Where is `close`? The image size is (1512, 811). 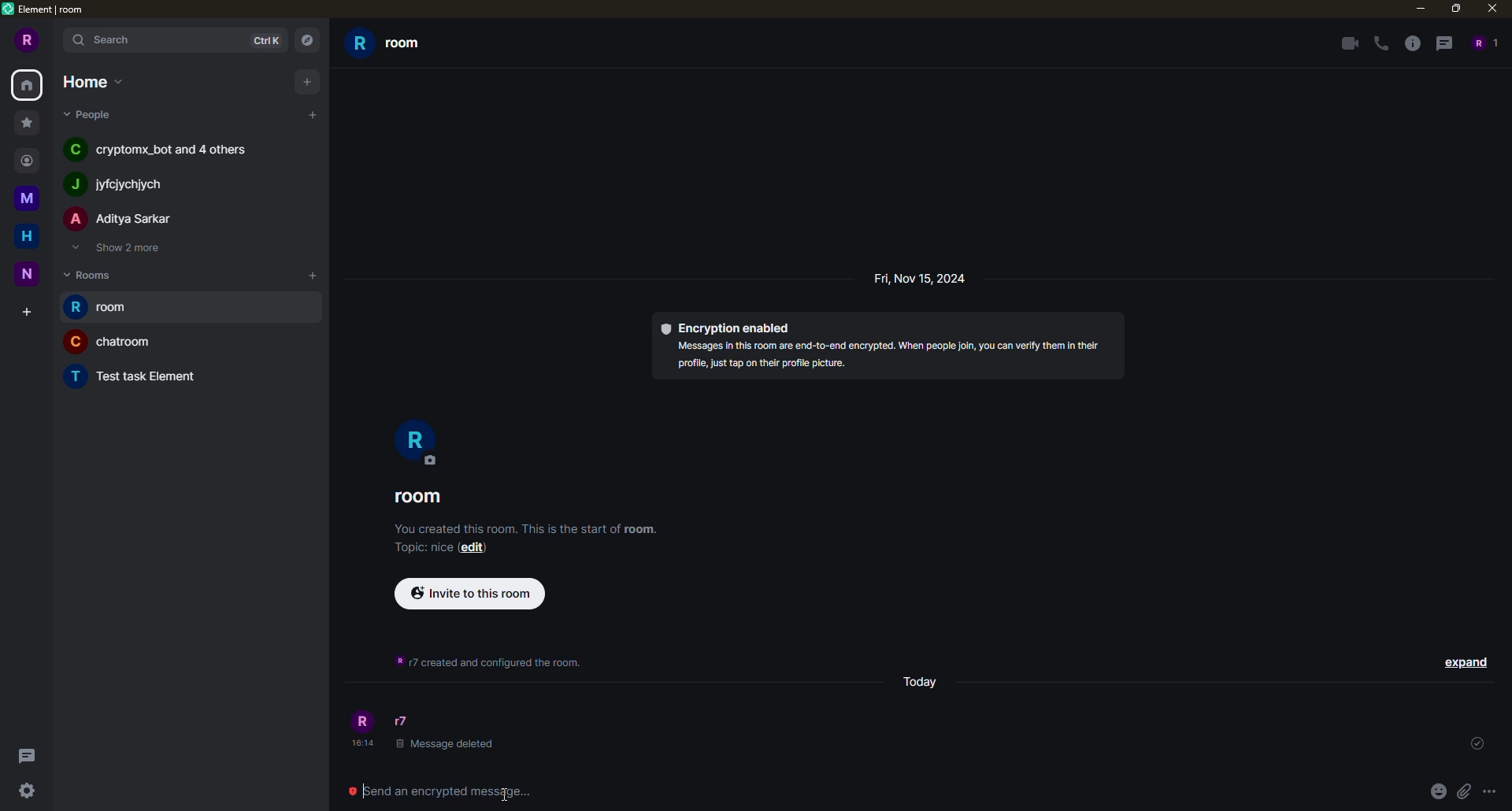 close is located at coordinates (1491, 9).